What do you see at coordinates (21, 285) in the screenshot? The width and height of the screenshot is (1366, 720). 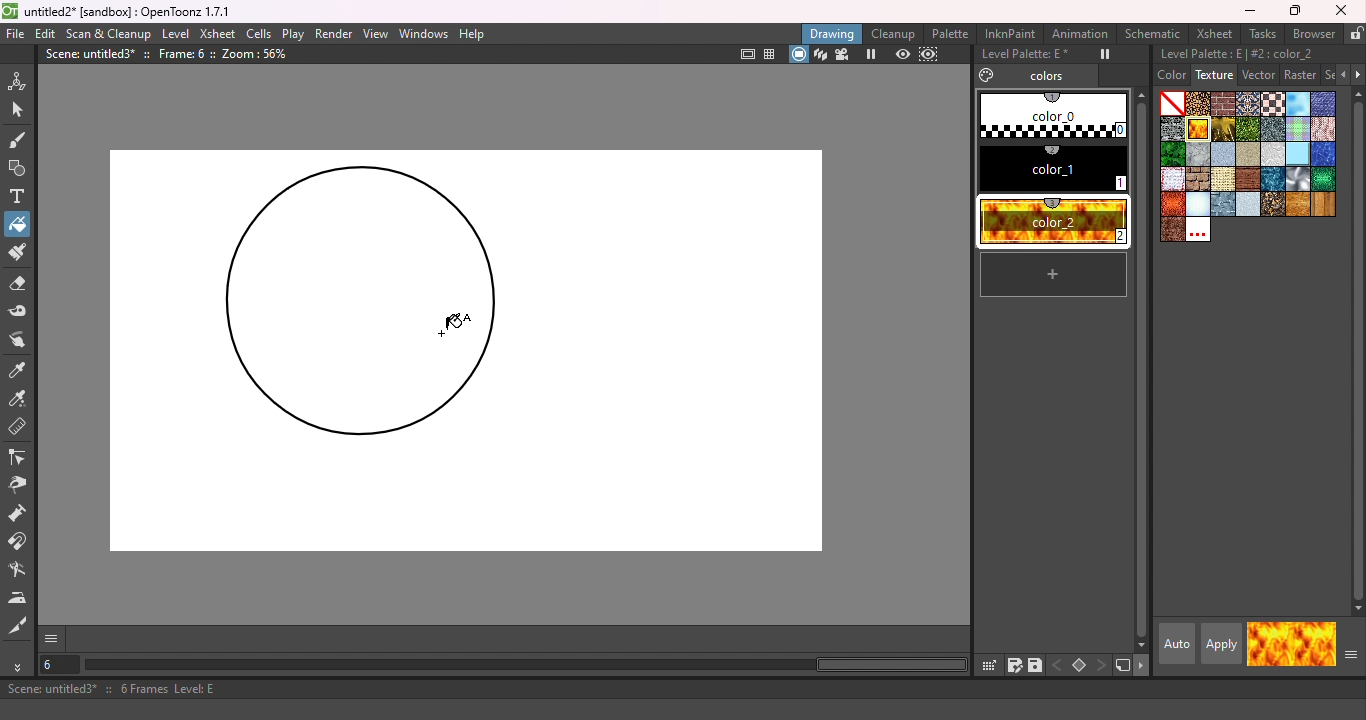 I see `Eraser tool` at bounding box center [21, 285].